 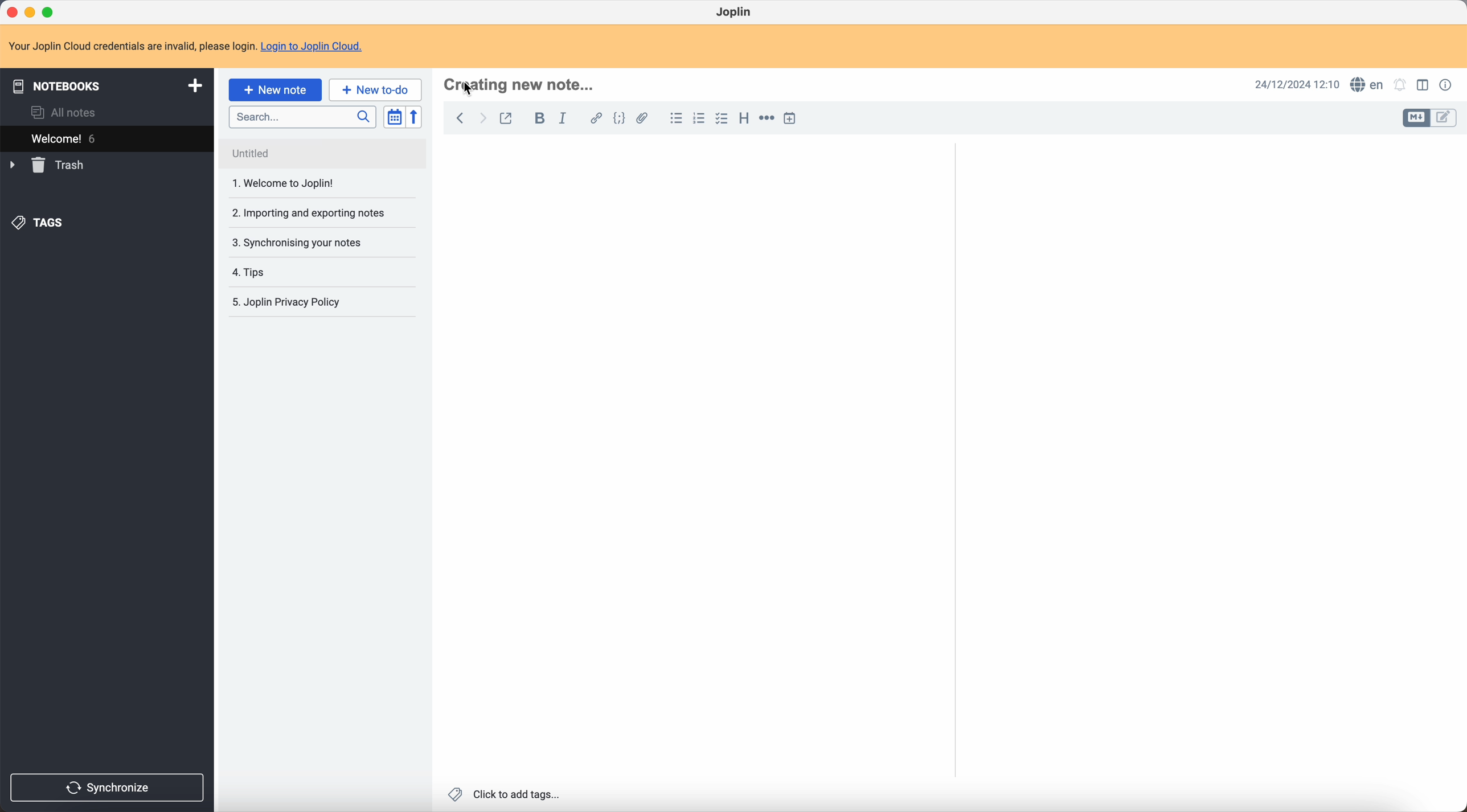 I want to click on synchronising your notes, so click(x=315, y=242).